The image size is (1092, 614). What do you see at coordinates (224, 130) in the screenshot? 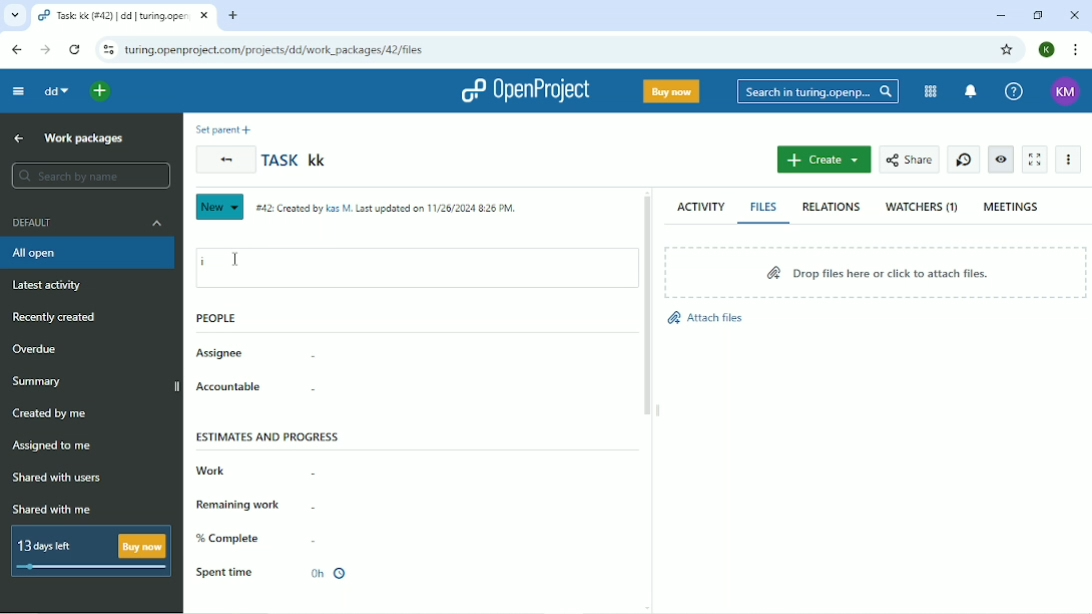
I see `Set parent` at bounding box center [224, 130].